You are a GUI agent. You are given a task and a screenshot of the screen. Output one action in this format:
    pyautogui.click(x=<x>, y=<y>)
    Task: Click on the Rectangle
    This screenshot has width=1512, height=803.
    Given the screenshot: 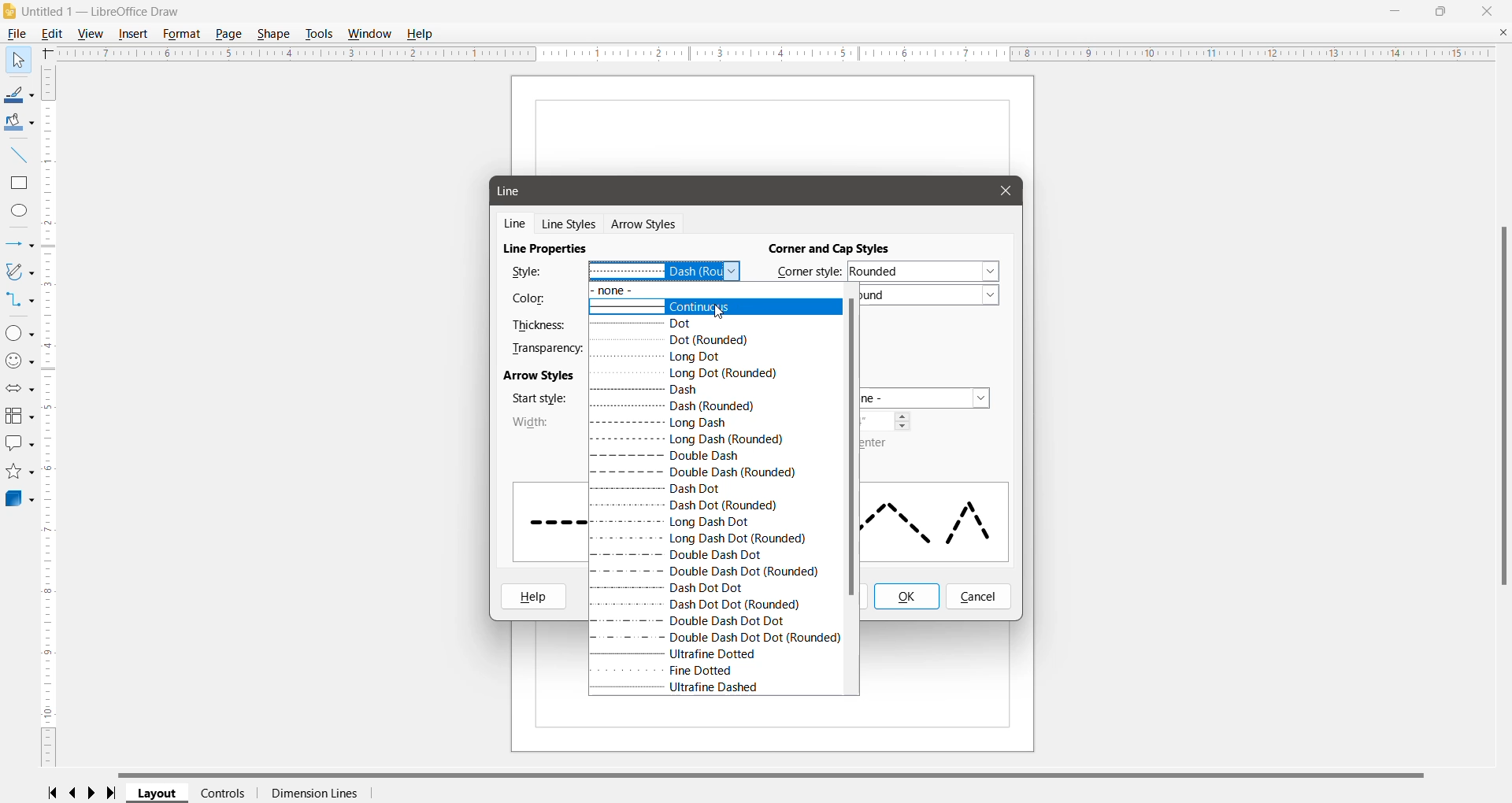 What is the action you would take?
    pyautogui.click(x=19, y=183)
    